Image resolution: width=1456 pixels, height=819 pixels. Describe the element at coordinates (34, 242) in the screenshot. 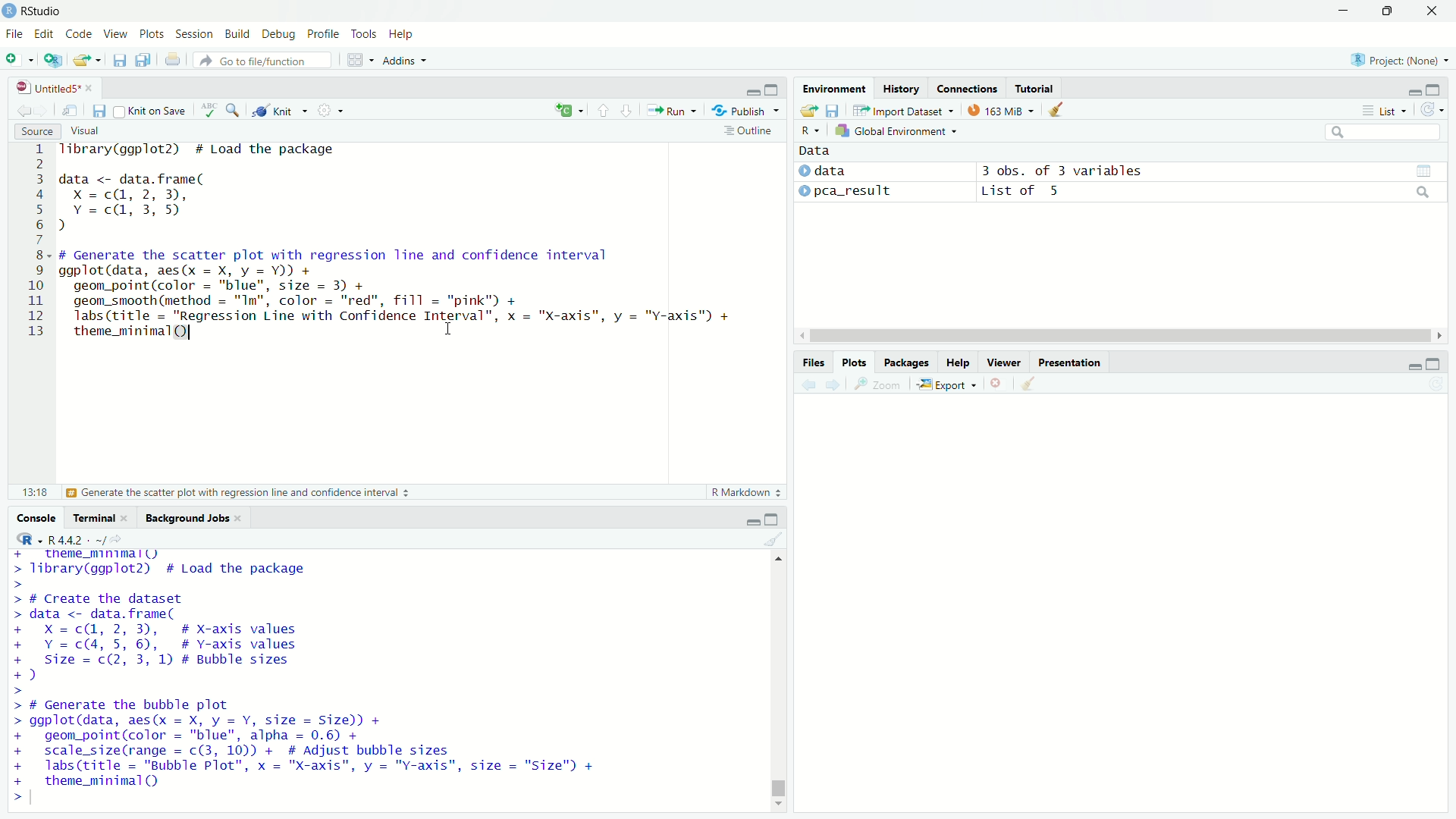

I see `line numbers` at that location.